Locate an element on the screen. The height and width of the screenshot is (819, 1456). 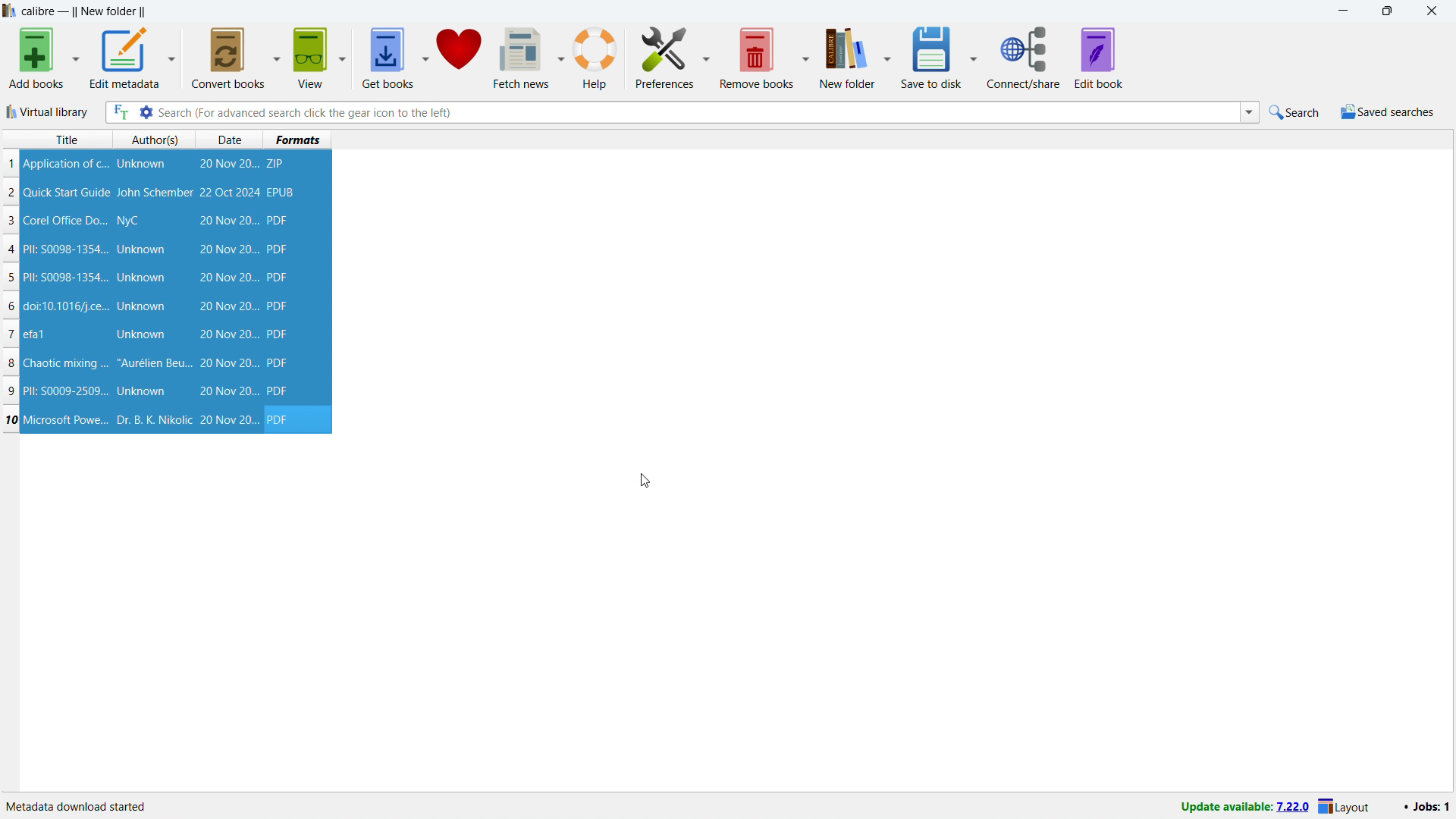
saved searches is located at coordinates (1388, 111).